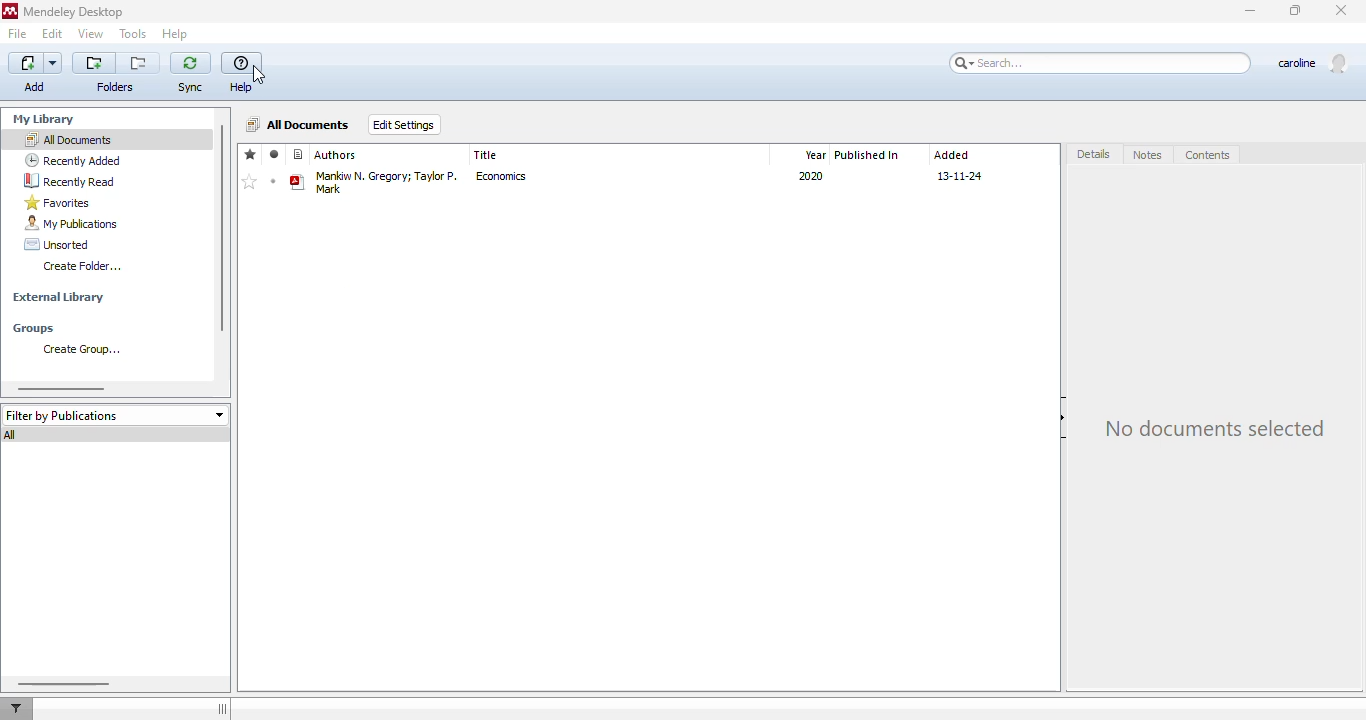  I want to click on horizontal scroll bar, so click(61, 389).